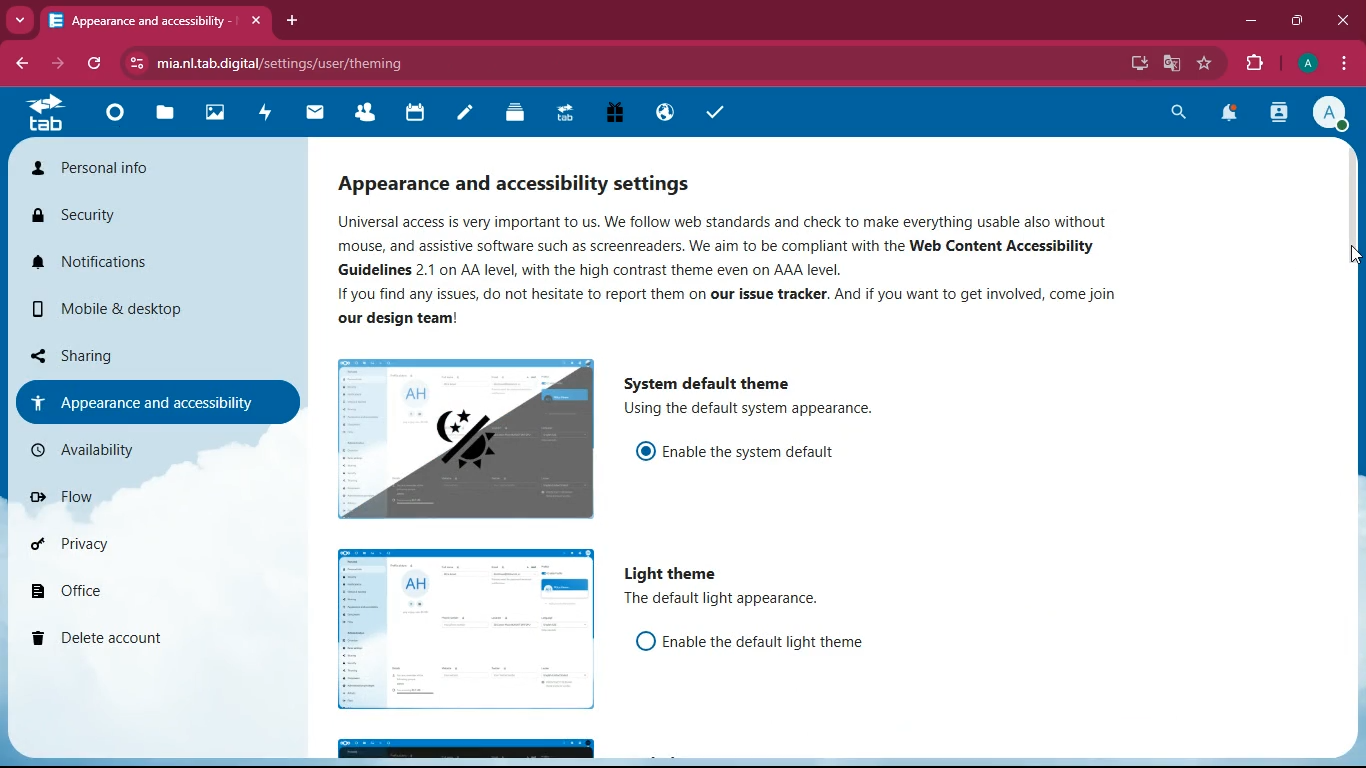 The image size is (1366, 768). I want to click on minimize, so click(1248, 20).